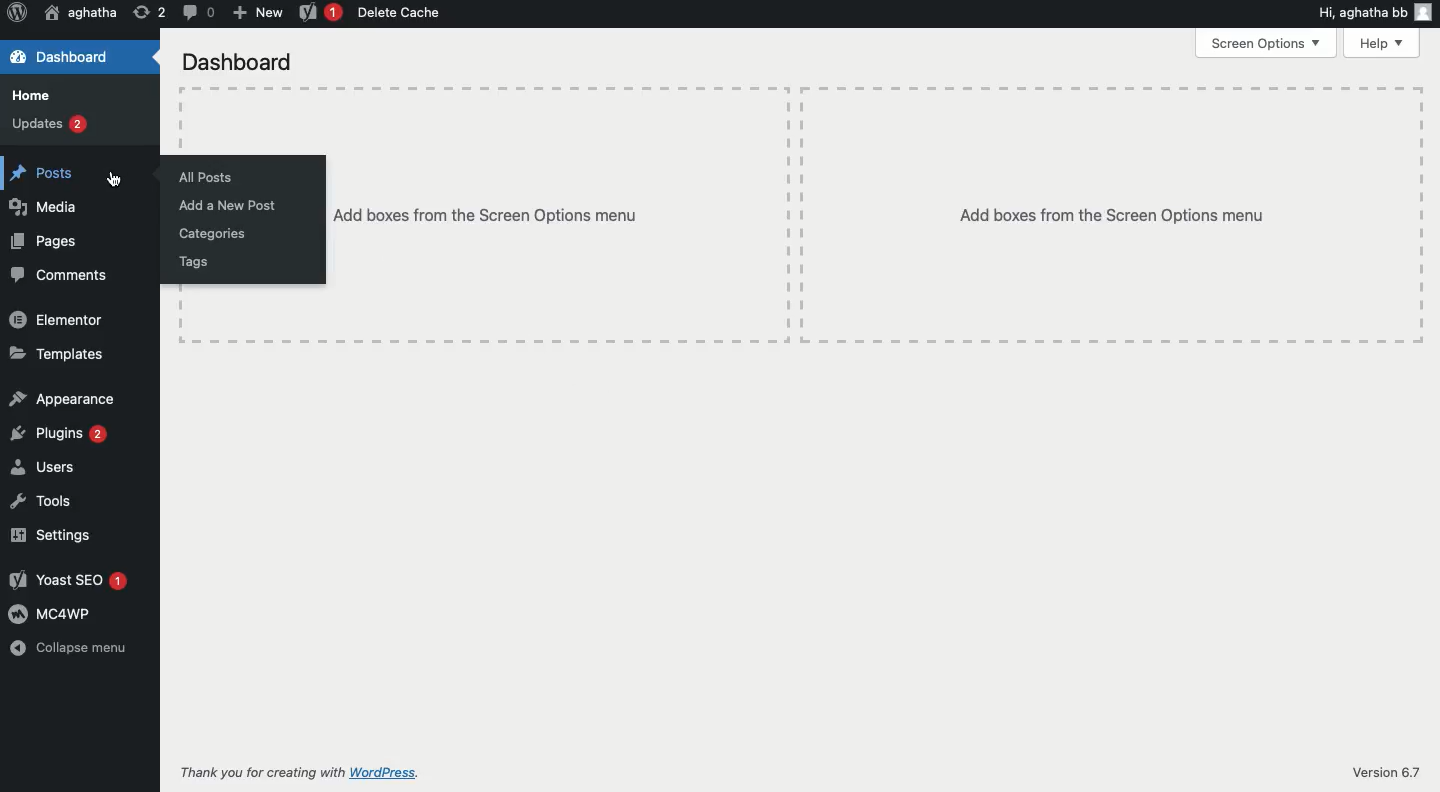 The image size is (1440, 792). What do you see at coordinates (488, 216) in the screenshot?
I see `‘Add boxes from the Screen Options menu` at bounding box center [488, 216].